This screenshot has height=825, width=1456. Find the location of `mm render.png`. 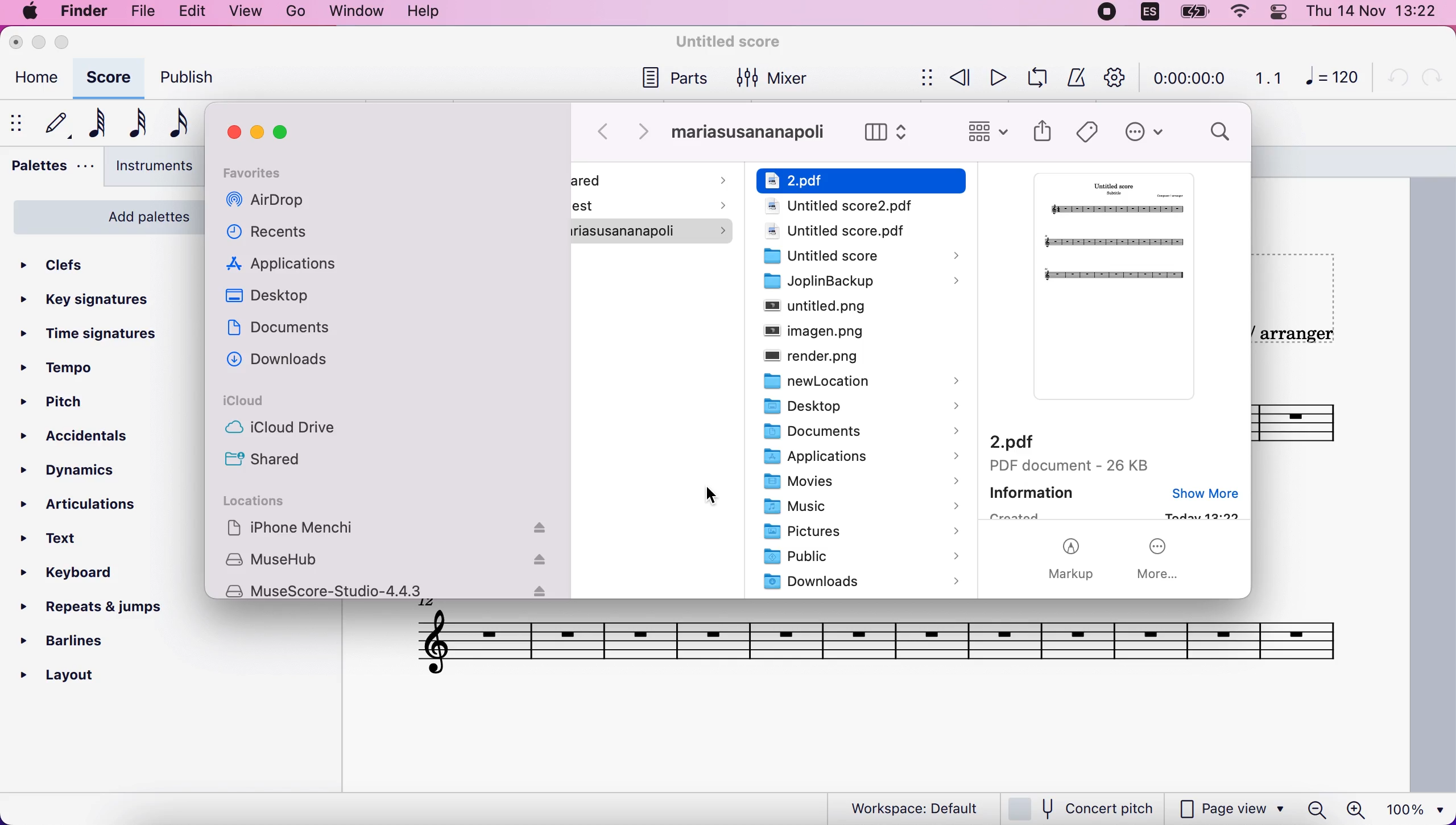

mm render.png is located at coordinates (845, 358).